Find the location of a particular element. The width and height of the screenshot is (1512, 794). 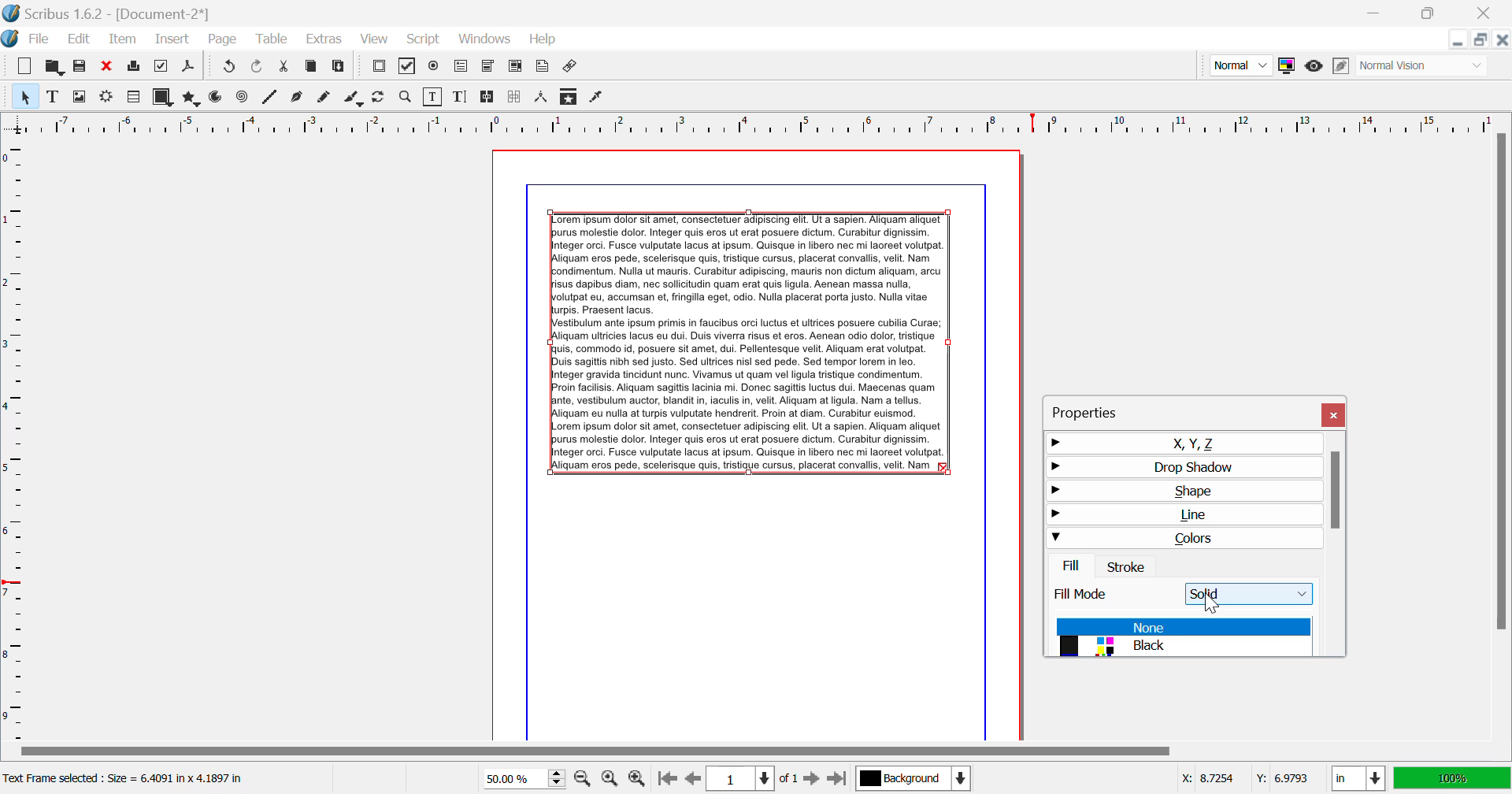

First Page is located at coordinates (665, 780).